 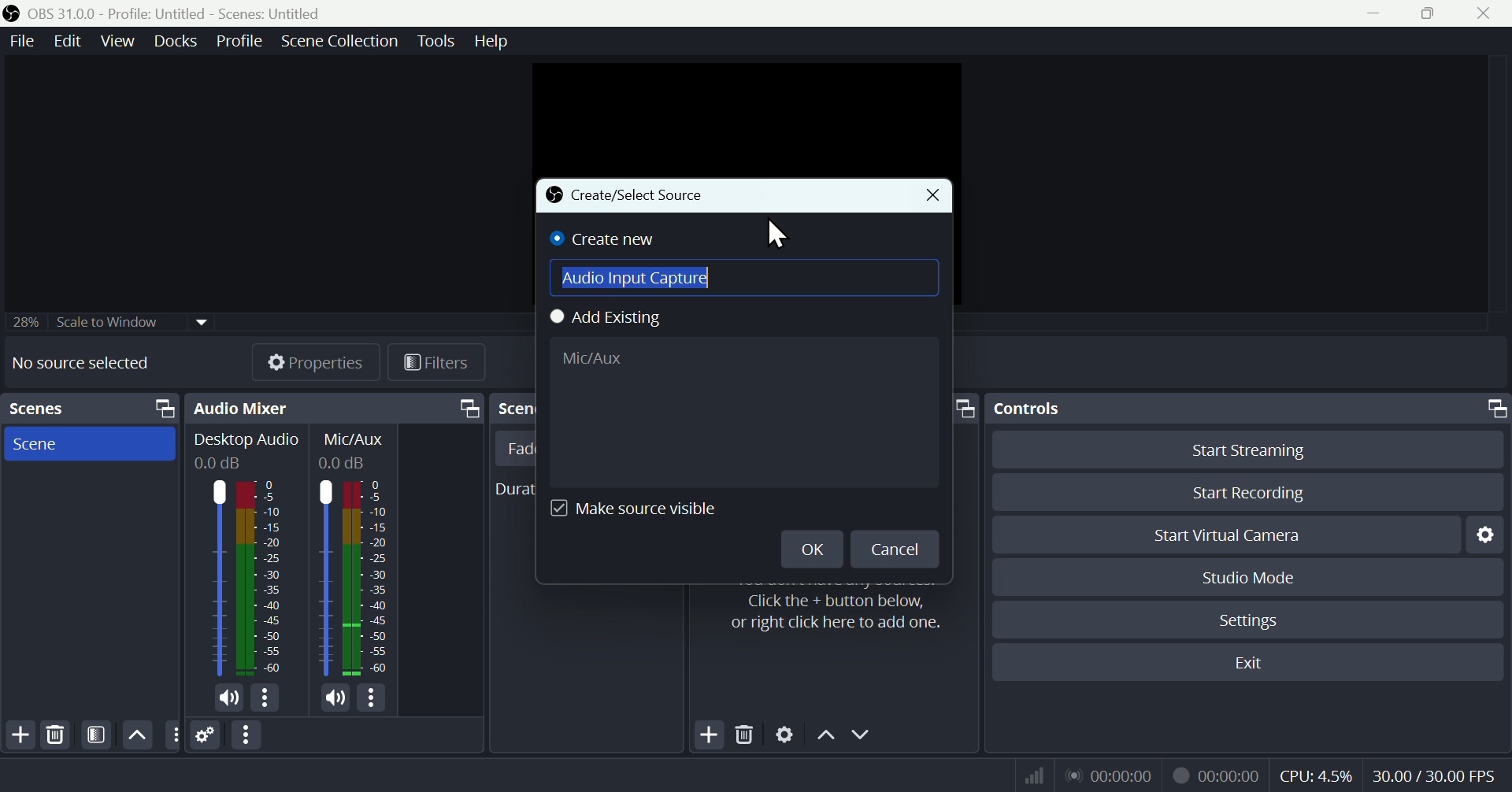 I want to click on Close, so click(x=931, y=196).